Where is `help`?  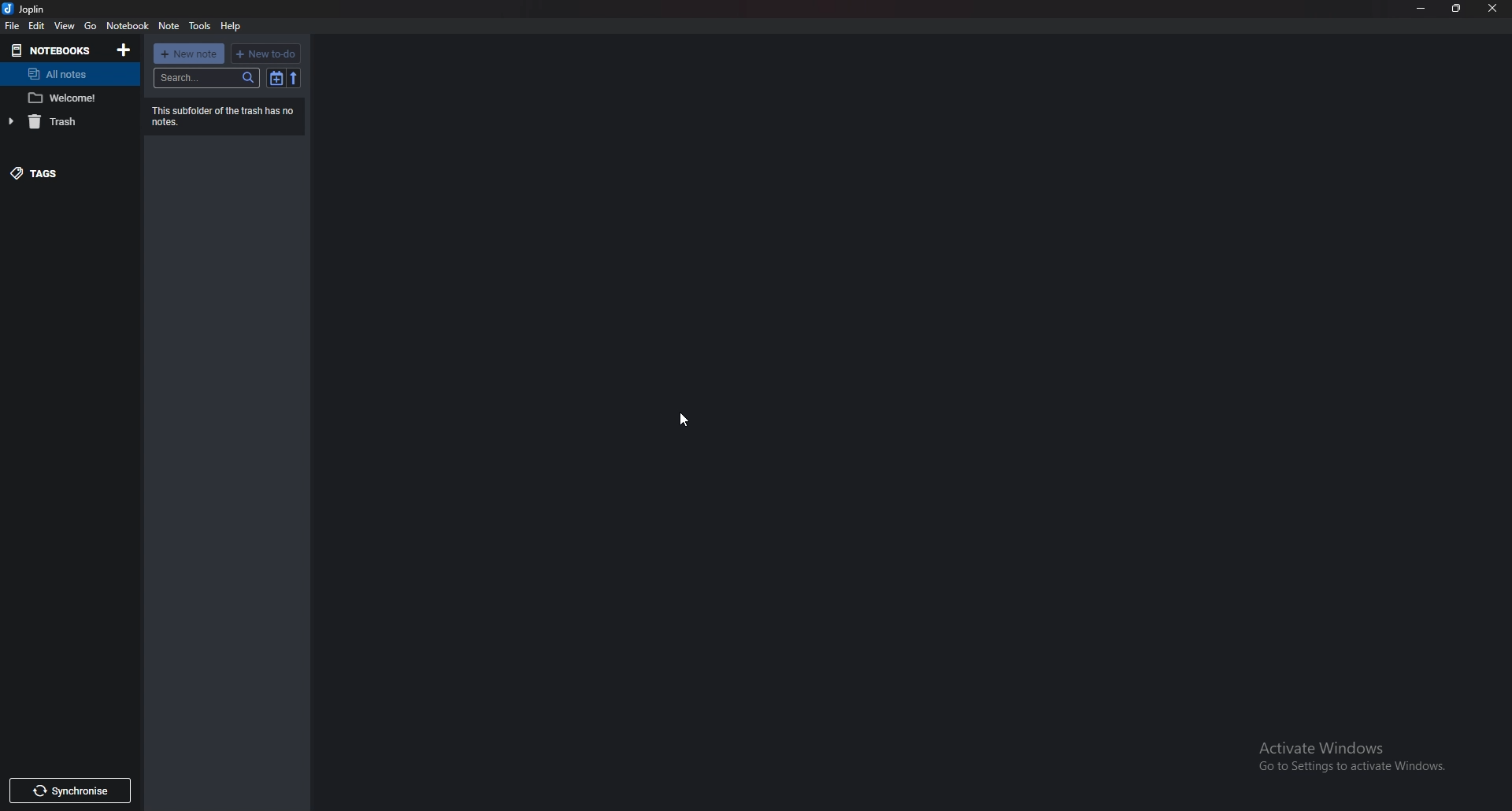 help is located at coordinates (232, 26).